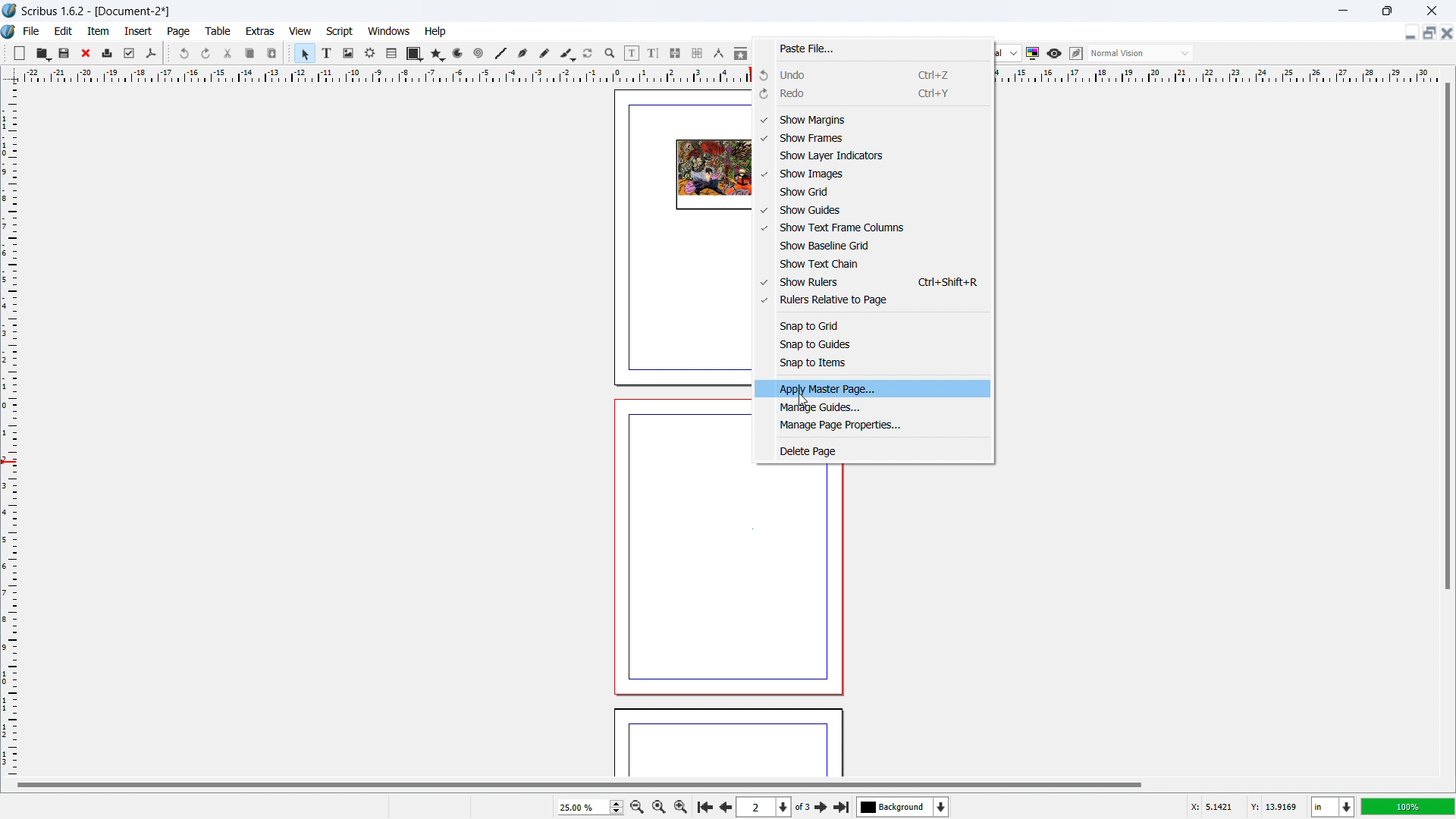 The width and height of the screenshot is (1456, 819). What do you see at coordinates (872, 120) in the screenshot?
I see `show margins toggle` at bounding box center [872, 120].